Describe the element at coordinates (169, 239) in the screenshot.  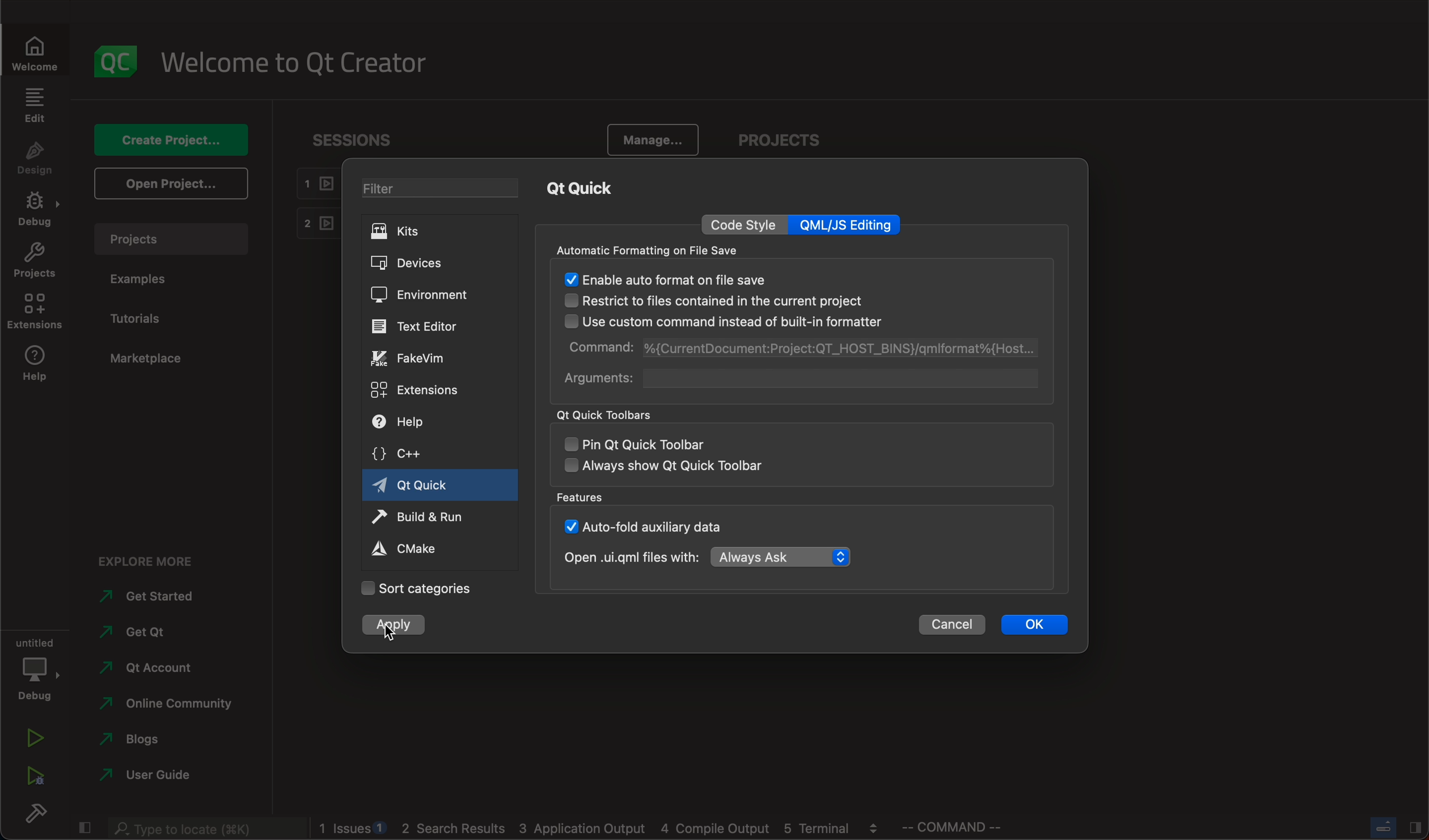
I see `projects` at that location.